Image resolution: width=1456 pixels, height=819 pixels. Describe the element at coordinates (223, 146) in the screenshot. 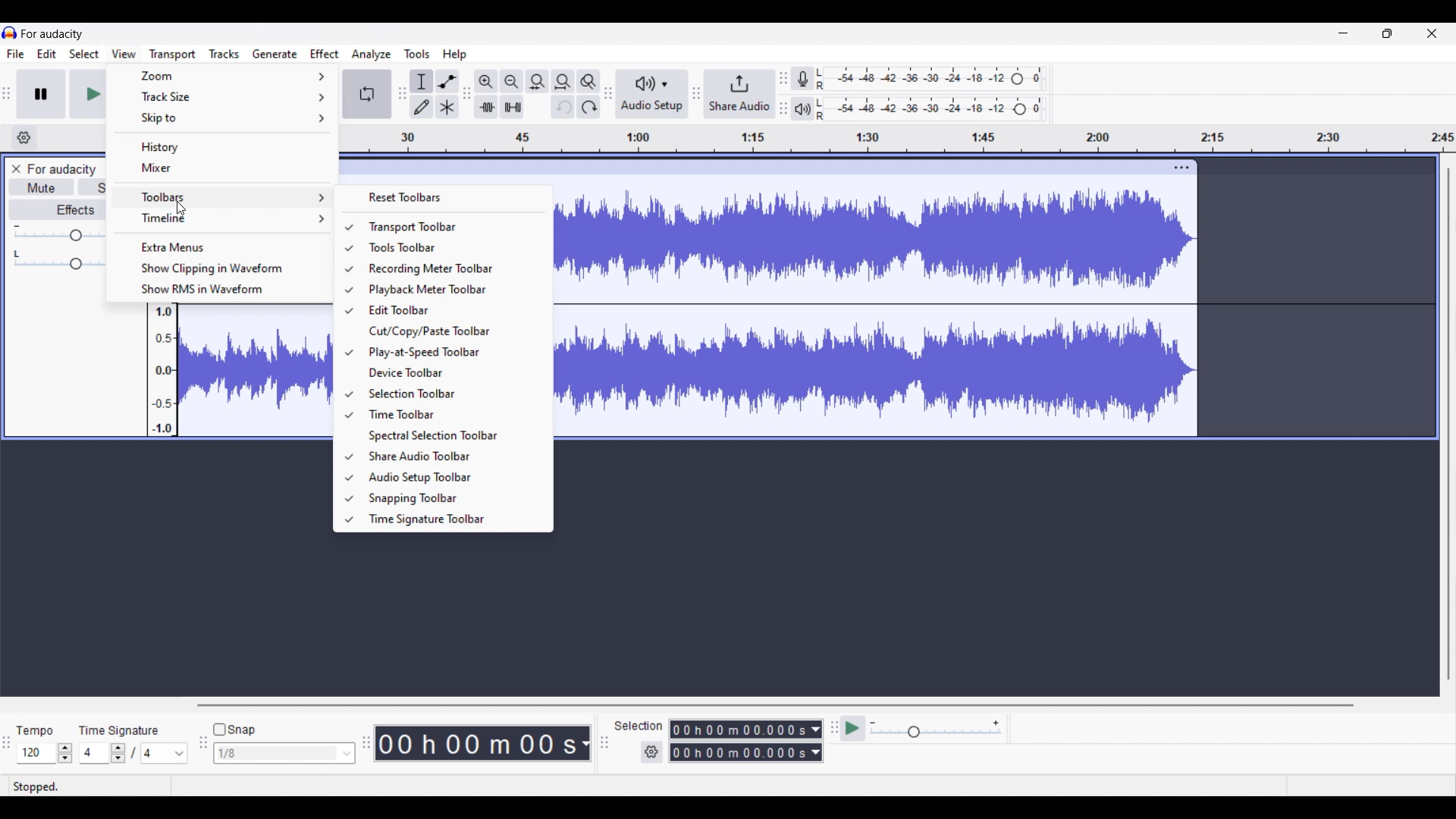

I see `History` at that location.